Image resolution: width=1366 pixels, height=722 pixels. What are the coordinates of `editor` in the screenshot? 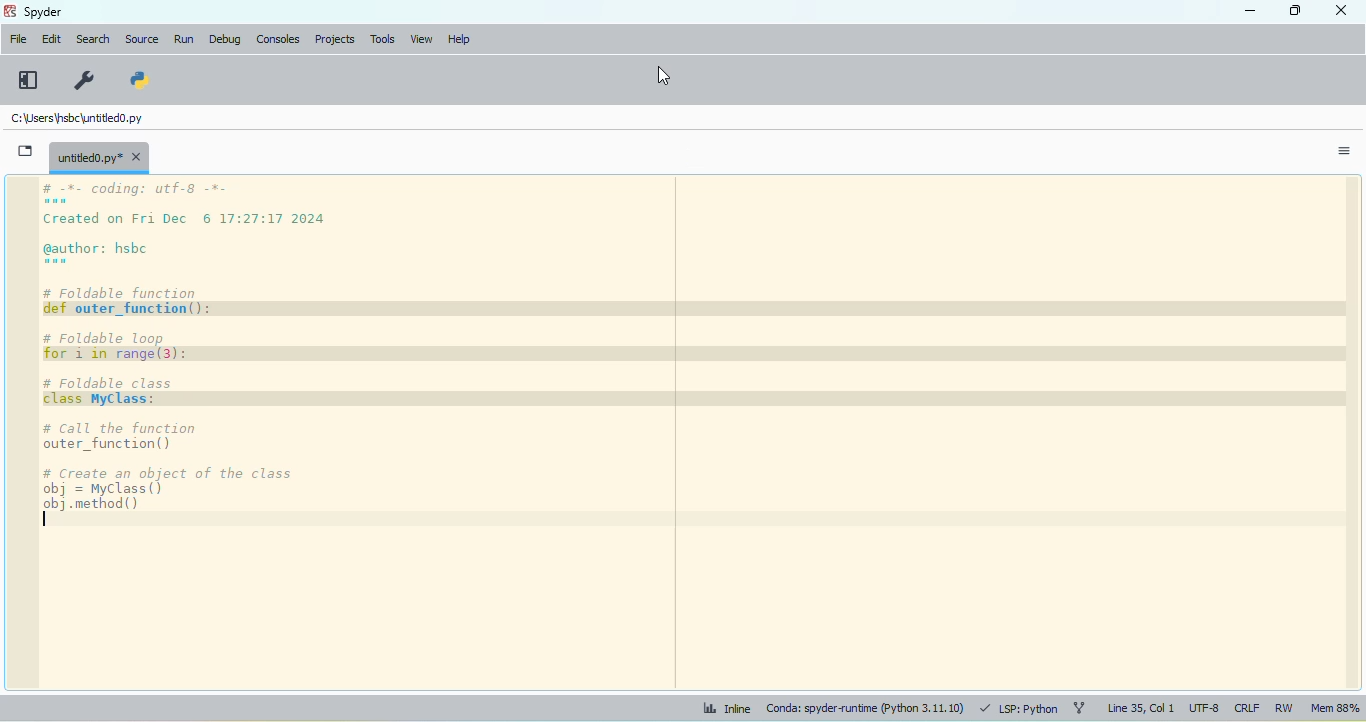 It's located at (691, 434).